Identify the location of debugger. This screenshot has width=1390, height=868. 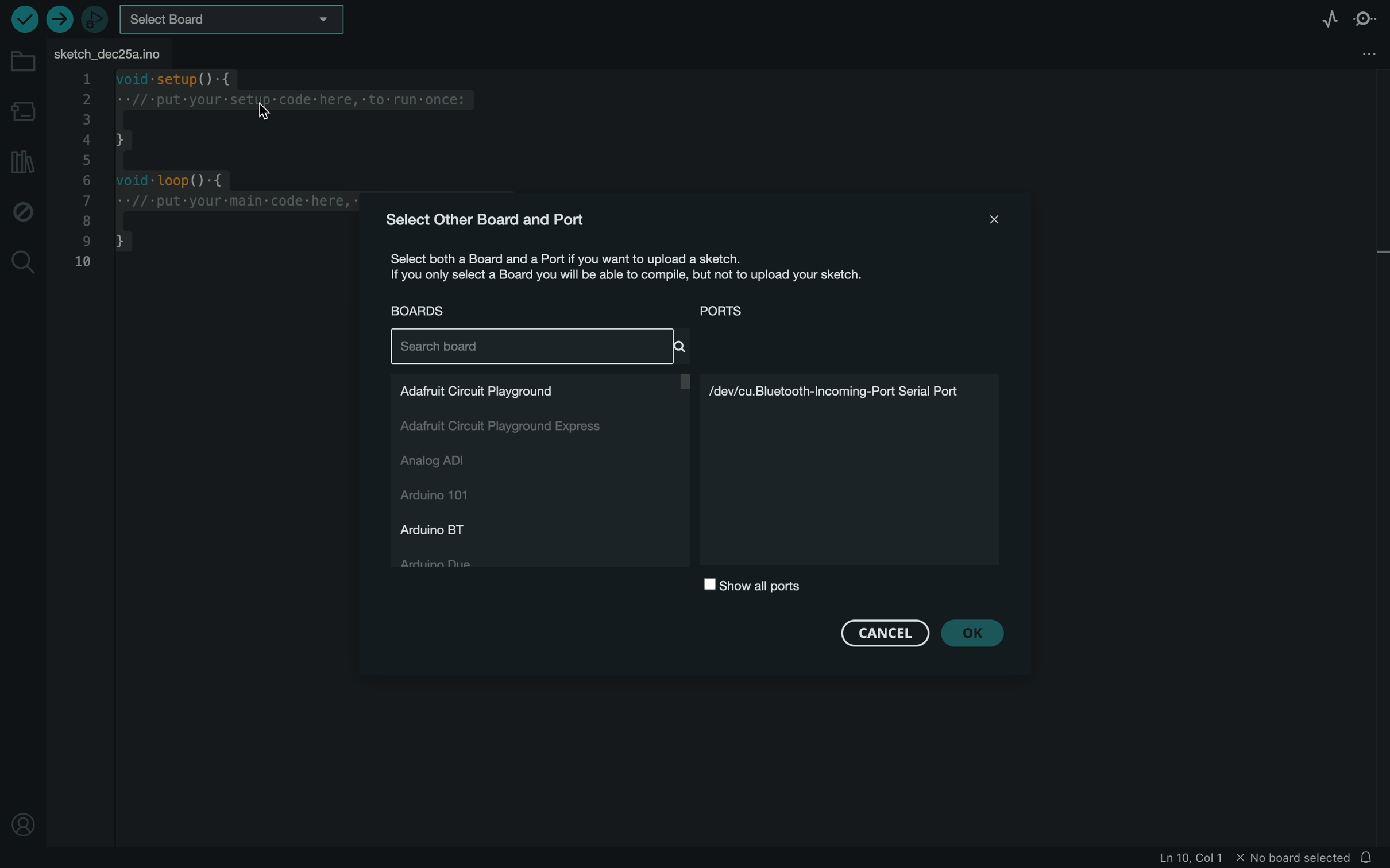
(95, 19).